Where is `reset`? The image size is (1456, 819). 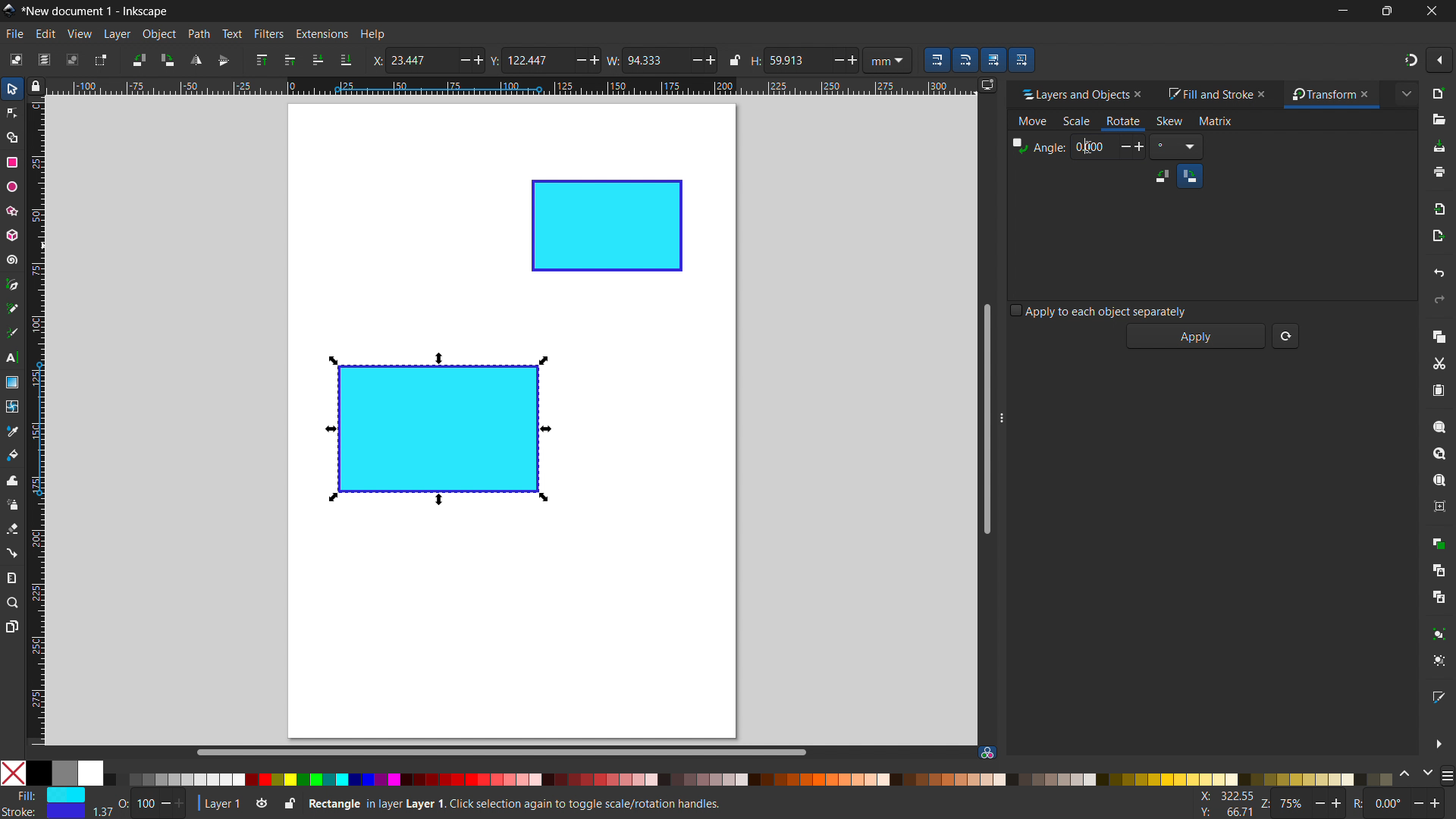
reset is located at coordinates (1285, 336).